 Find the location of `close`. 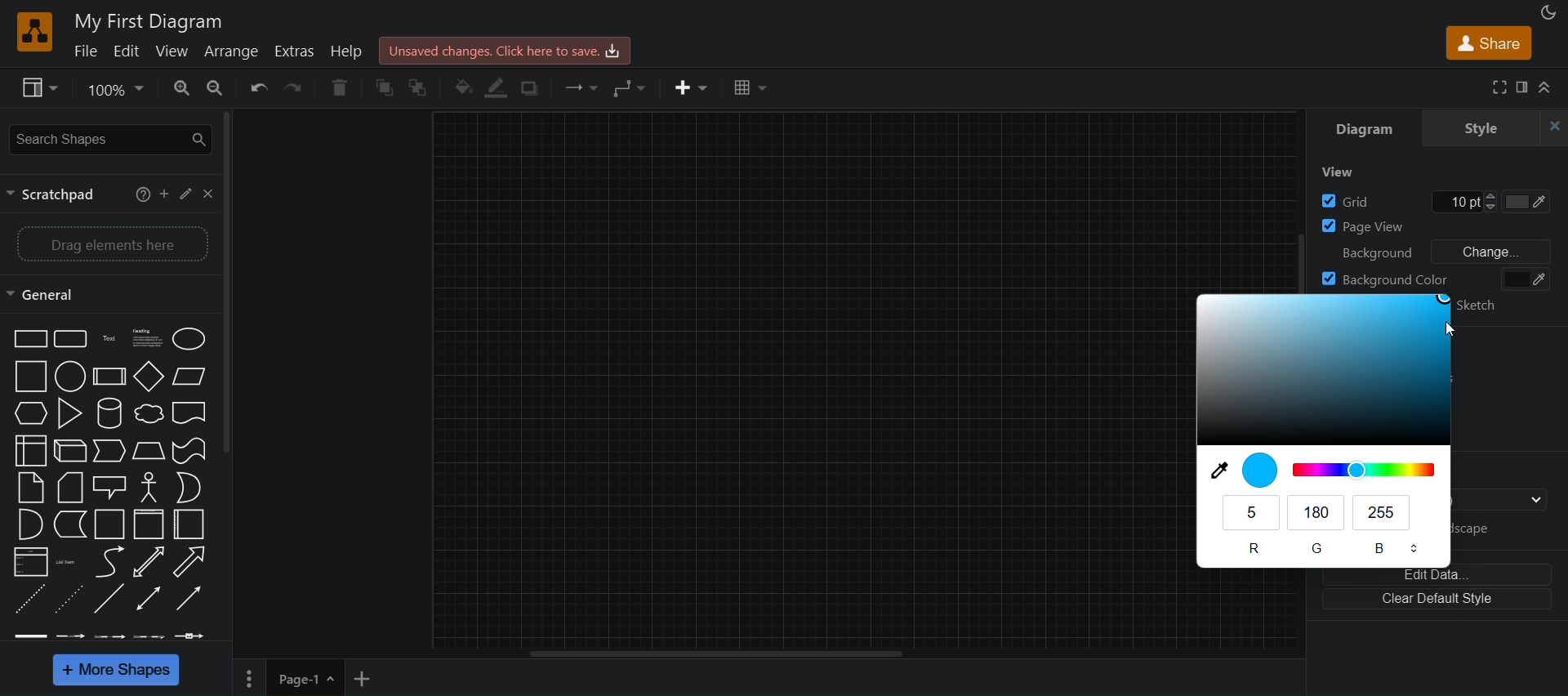

close is located at coordinates (1553, 127).